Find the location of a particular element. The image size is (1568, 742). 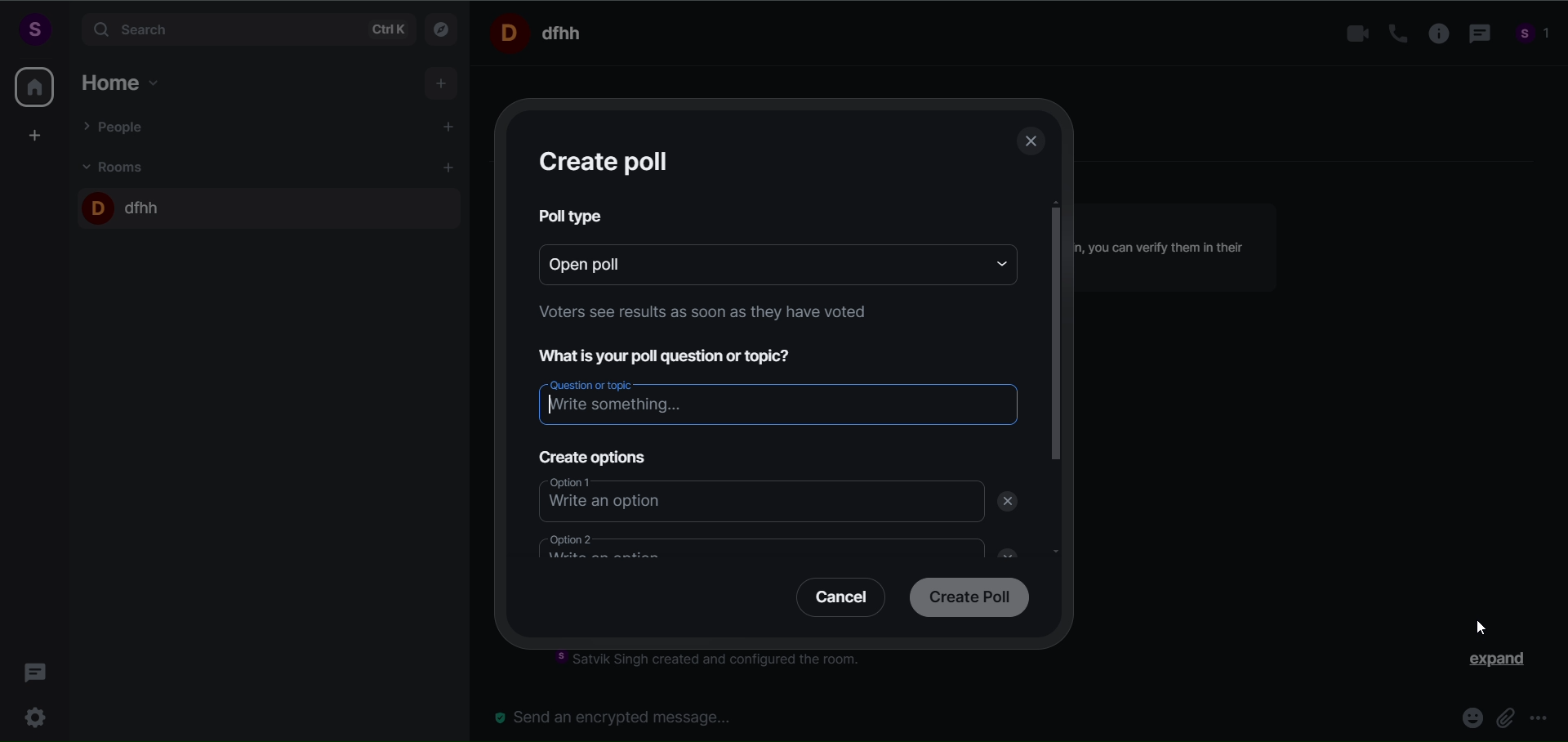

user is located at coordinates (33, 29).